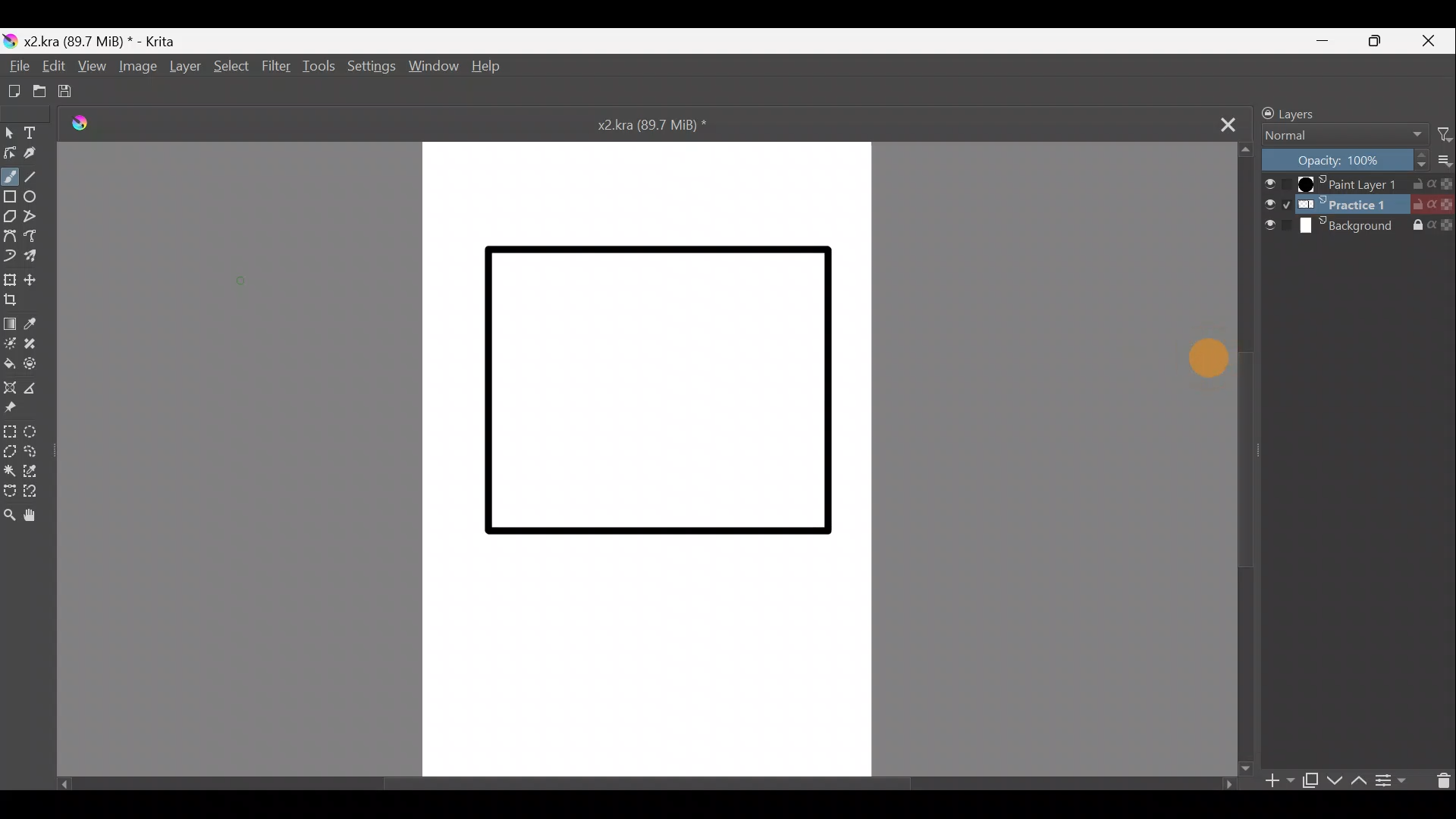 The height and width of the screenshot is (819, 1456). I want to click on Close tab, so click(1222, 122).